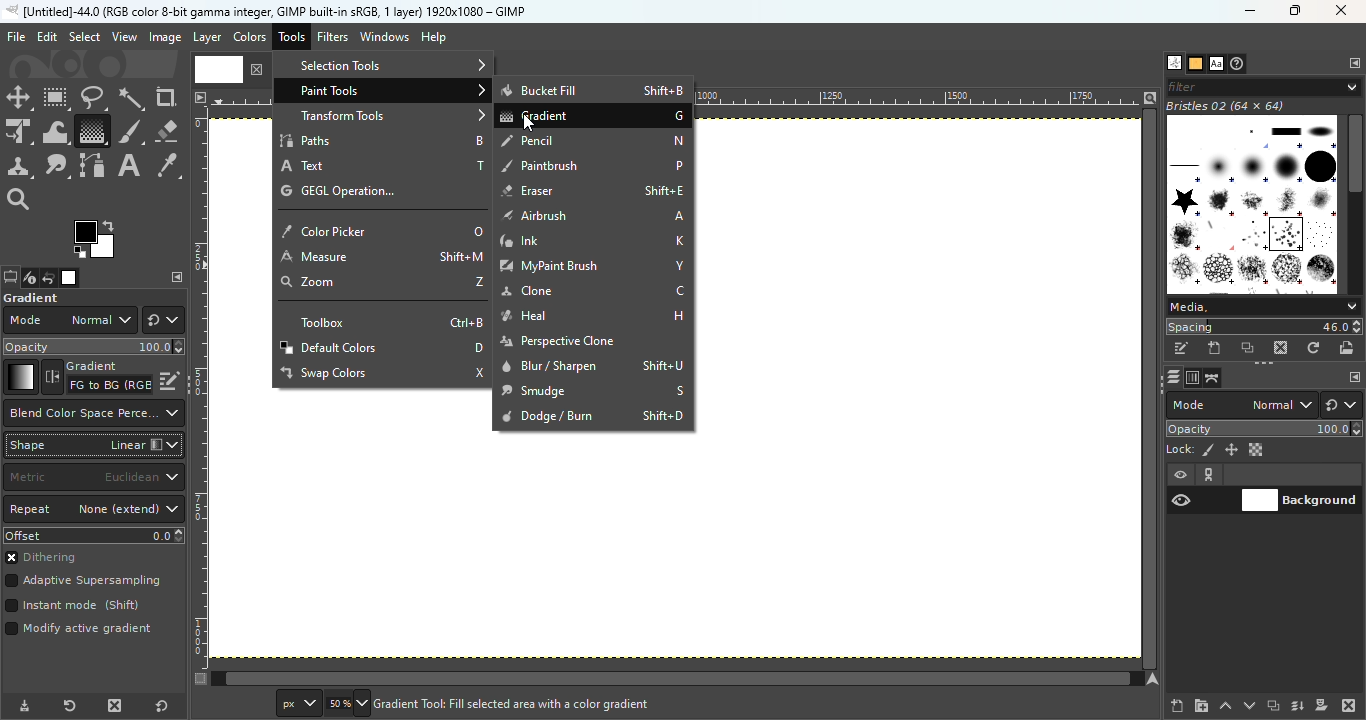  I want to click on Lower this layer one step in the layer stack, so click(1249, 706).